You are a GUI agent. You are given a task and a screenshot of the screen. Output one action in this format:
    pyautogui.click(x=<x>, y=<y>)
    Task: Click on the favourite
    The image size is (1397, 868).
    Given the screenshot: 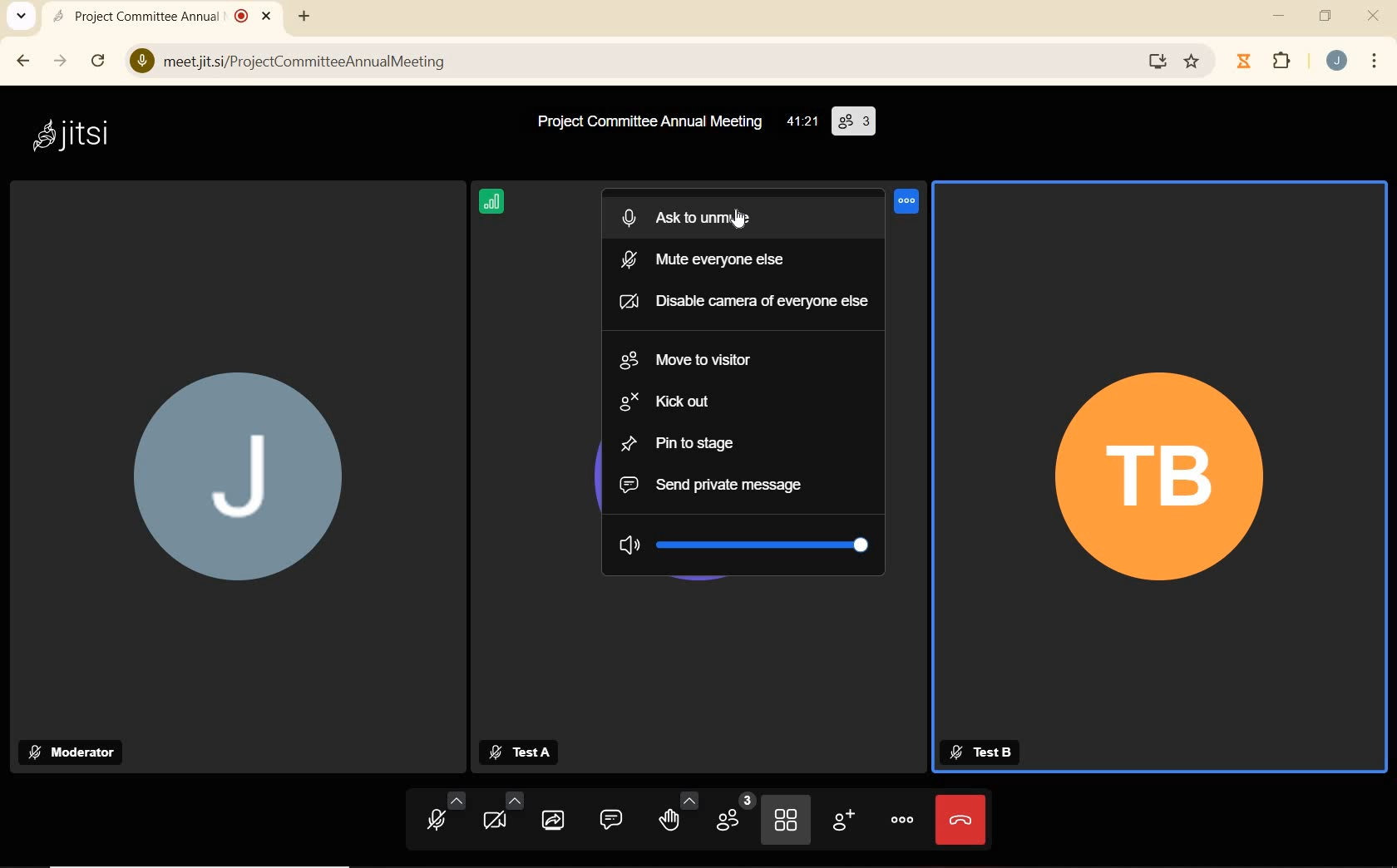 What is the action you would take?
    pyautogui.click(x=1193, y=64)
    